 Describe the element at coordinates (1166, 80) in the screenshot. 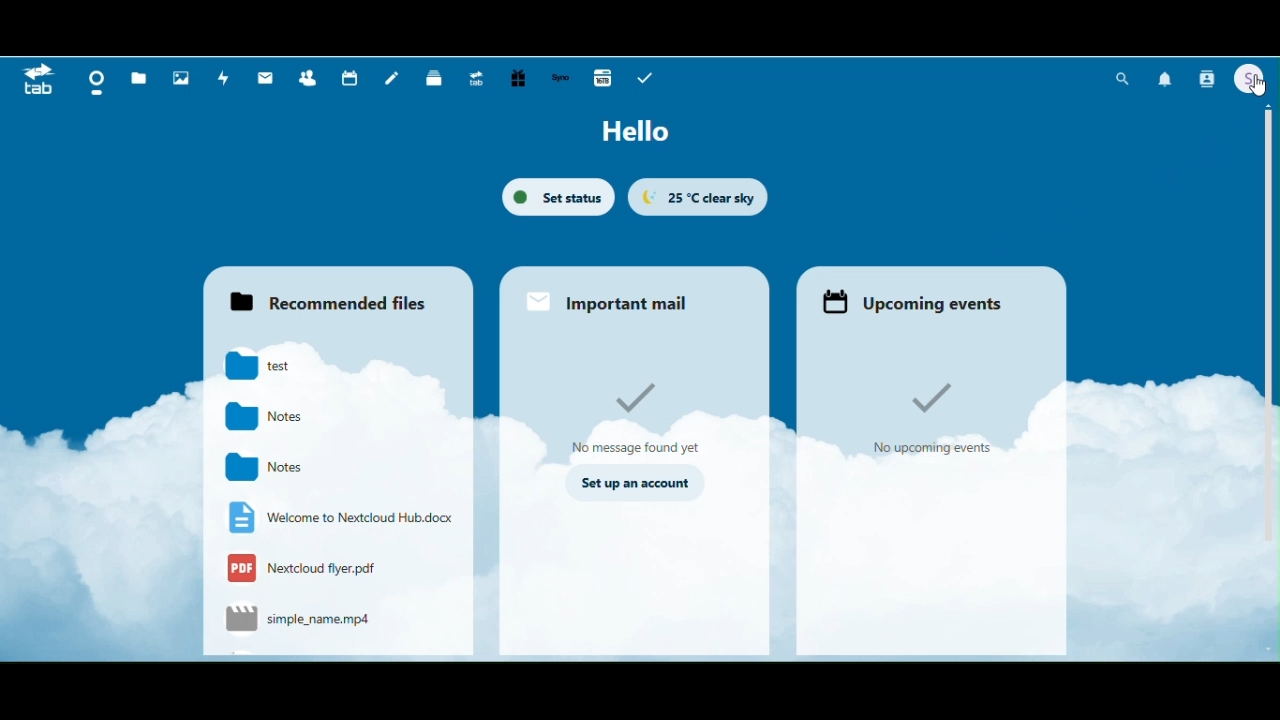

I see `Notifications` at that location.